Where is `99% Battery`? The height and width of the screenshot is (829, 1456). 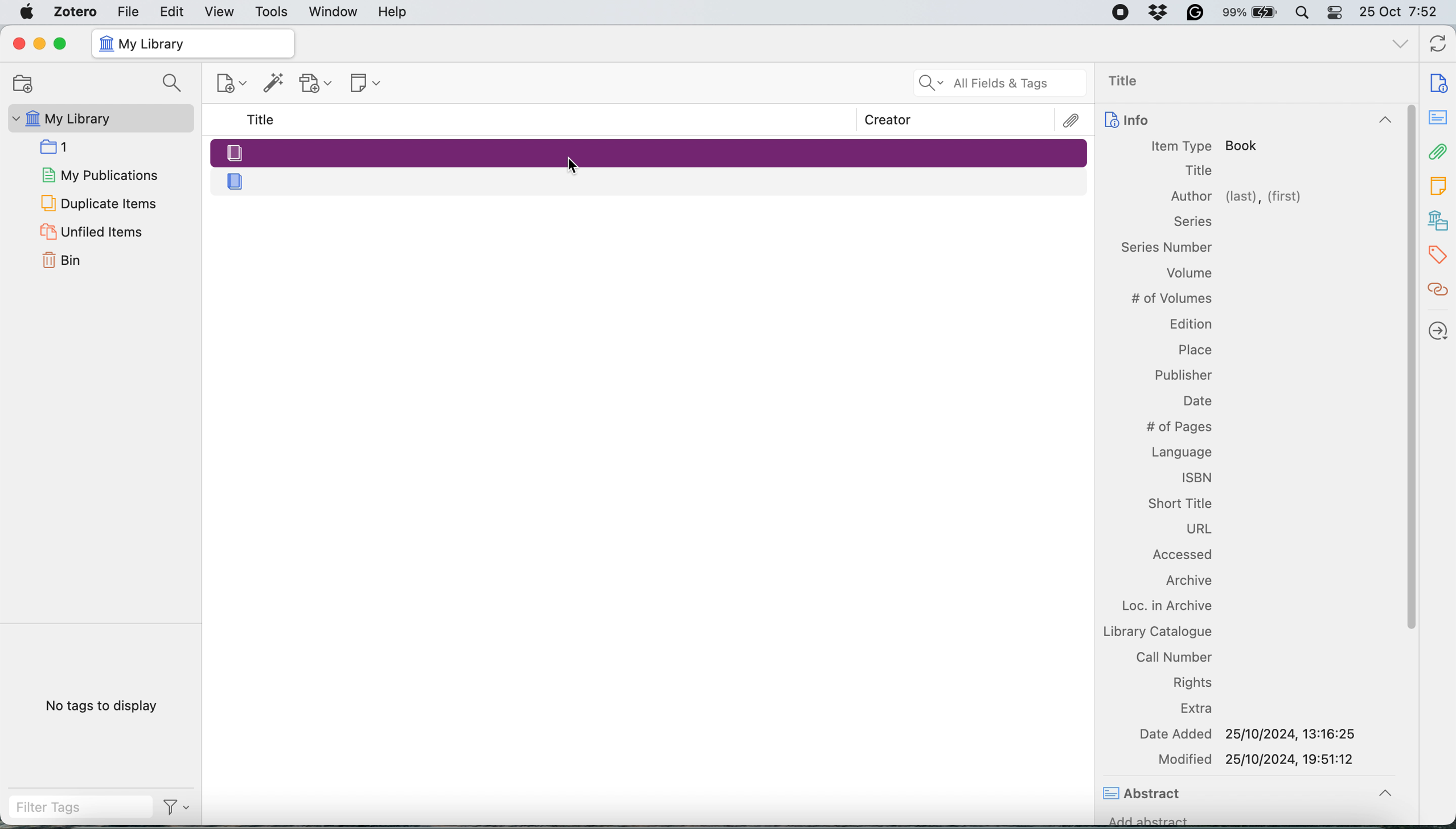
99% Battery is located at coordinates (1250, 13).